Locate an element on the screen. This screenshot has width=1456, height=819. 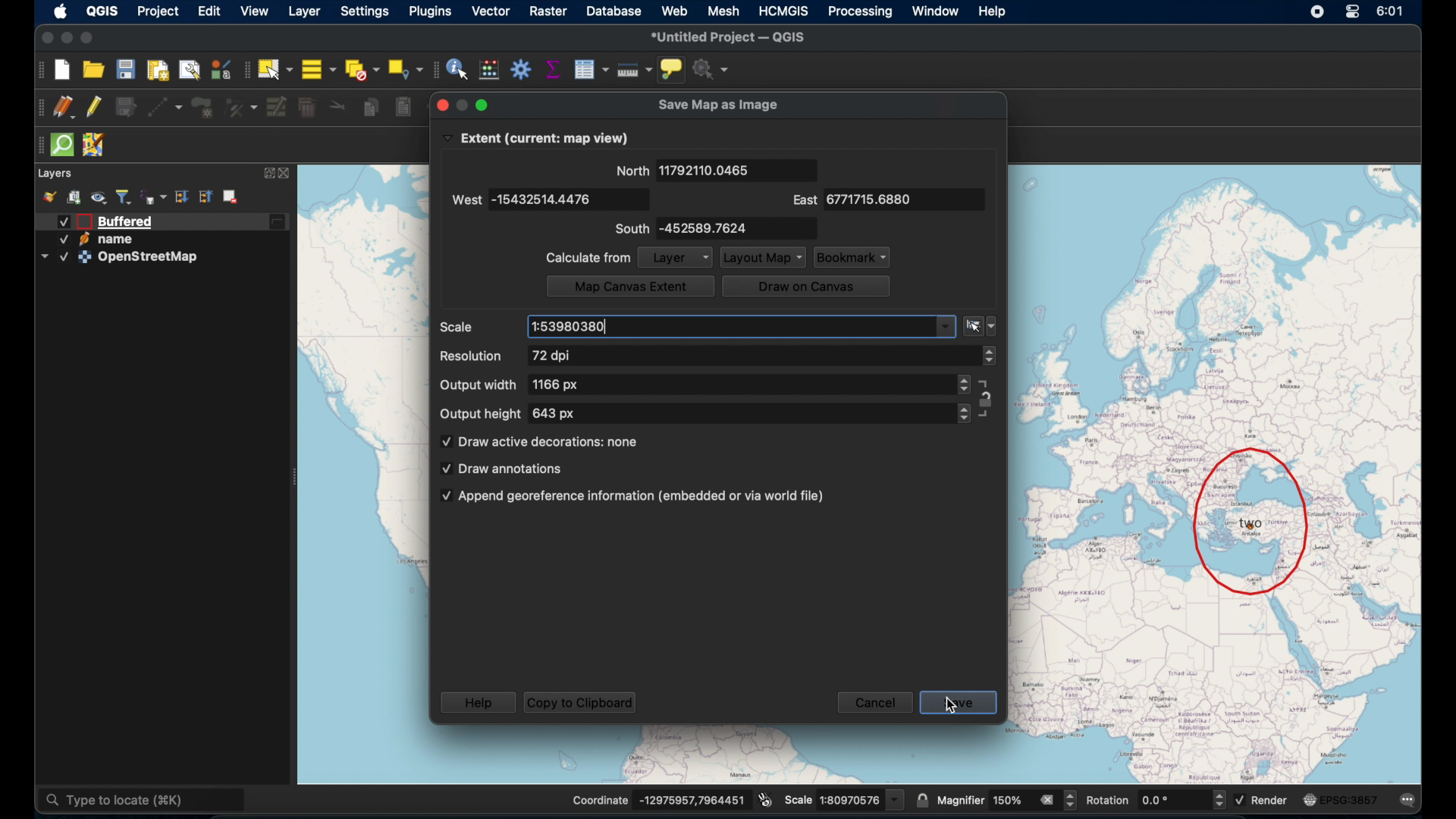
paste features is located at coordinates (403, 108).